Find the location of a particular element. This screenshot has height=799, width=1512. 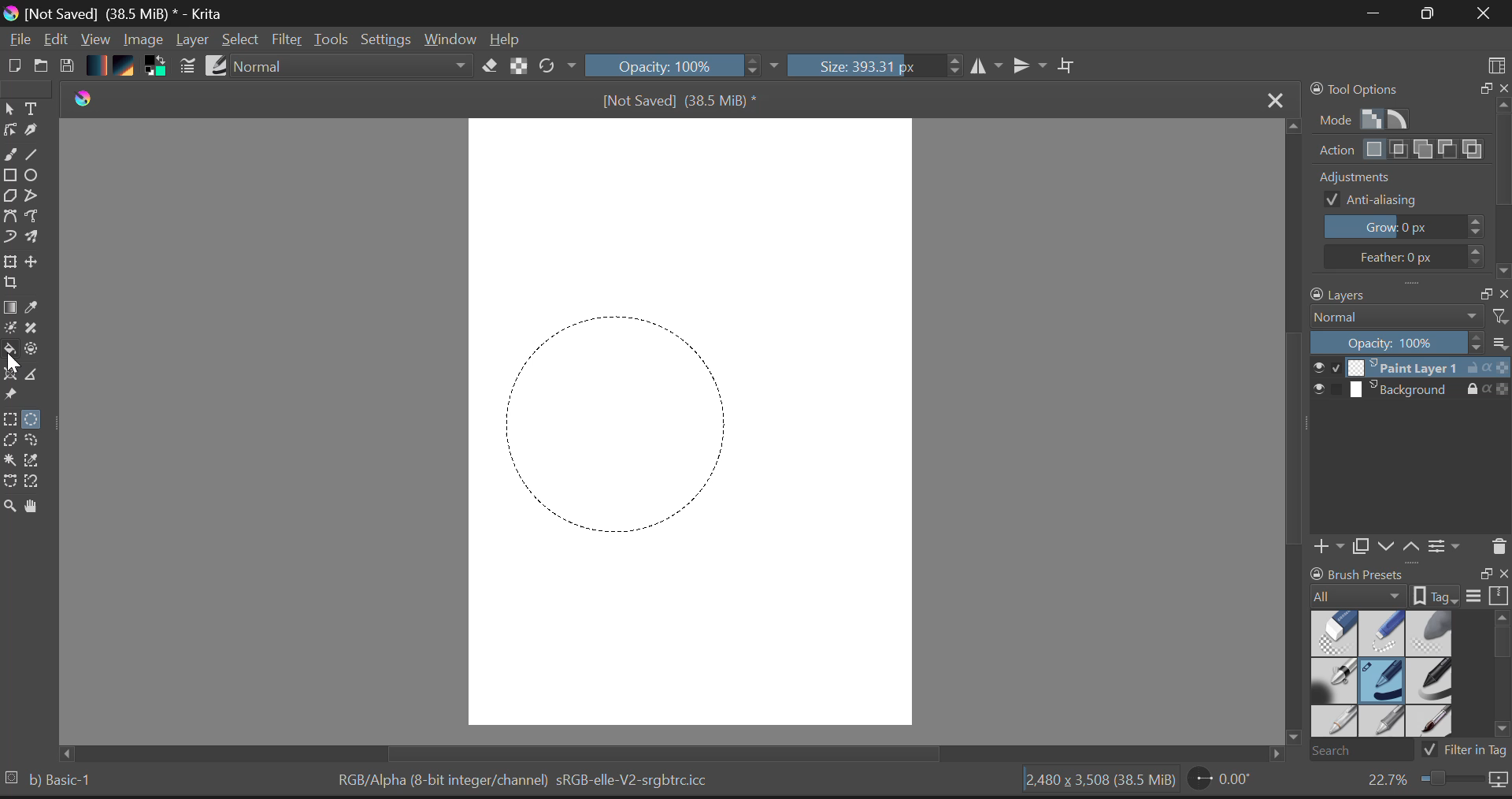

Crop is located at coordinates (9, 287).